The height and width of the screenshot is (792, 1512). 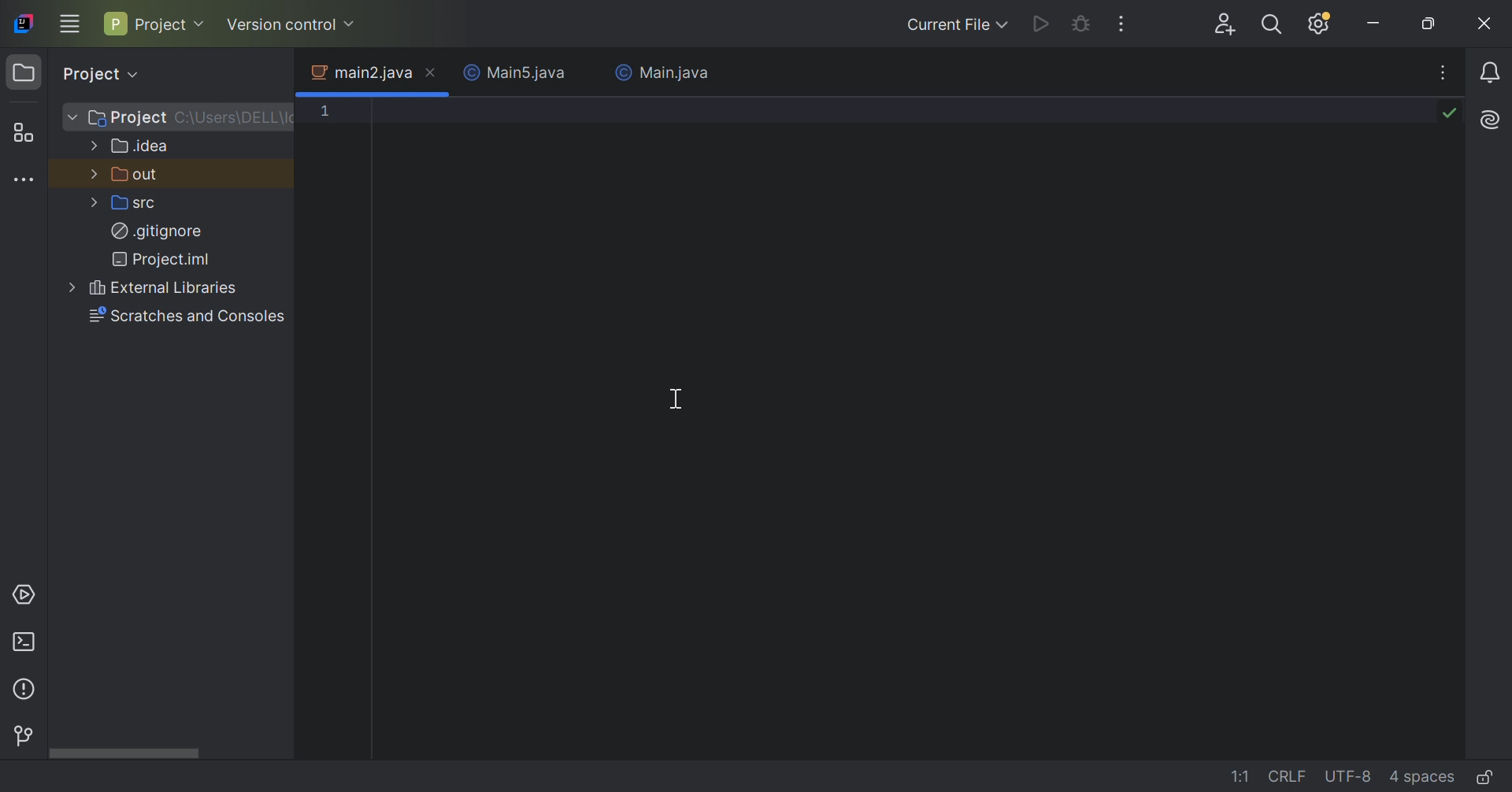 I want to click on main2.java, so click(x=361, y=72).